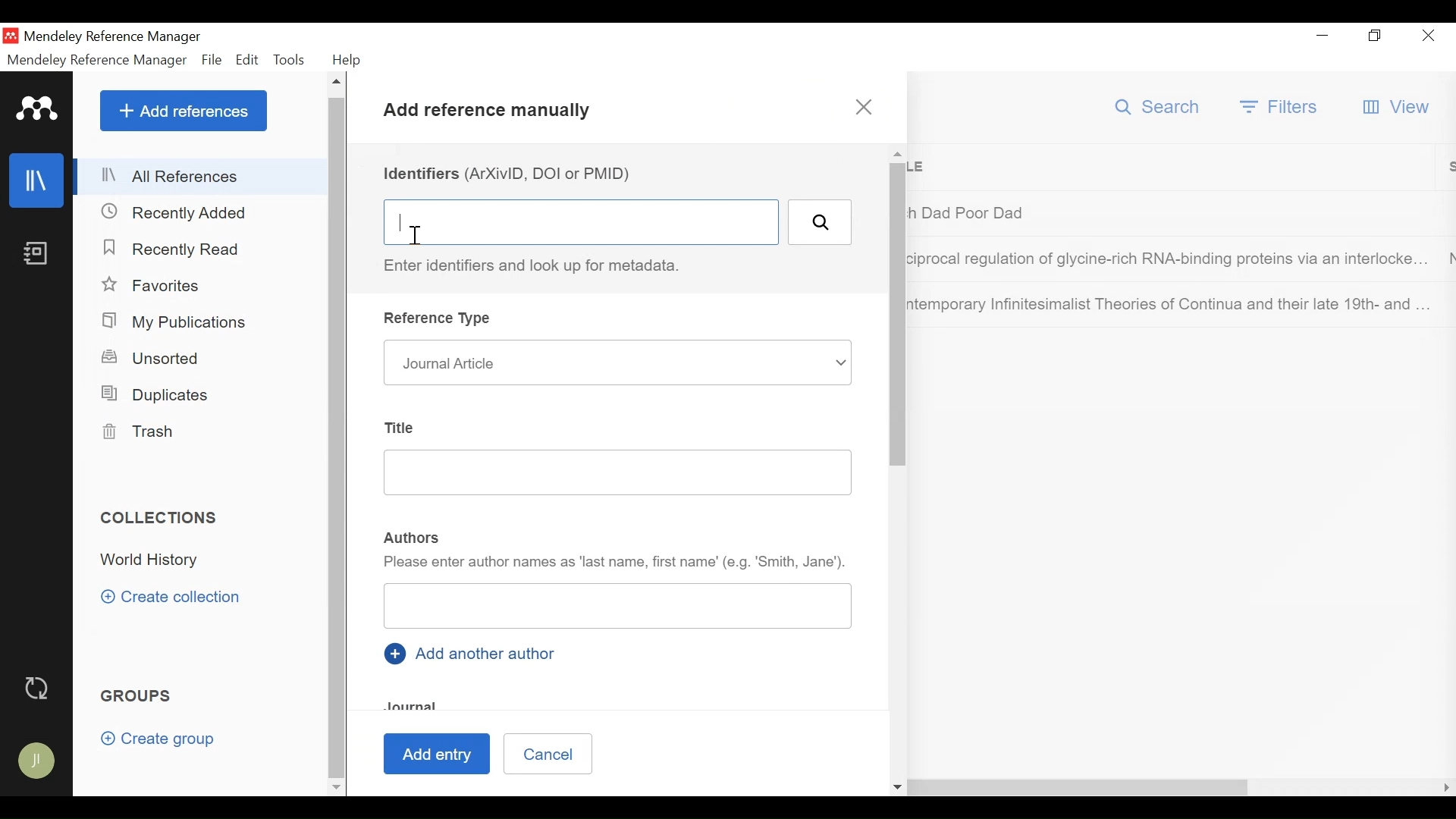 The width and height of the screenshot is (1456, 819). Describe the element at coordinates (413, 233) in the screenshot. I see `insertion cursor` at that location.